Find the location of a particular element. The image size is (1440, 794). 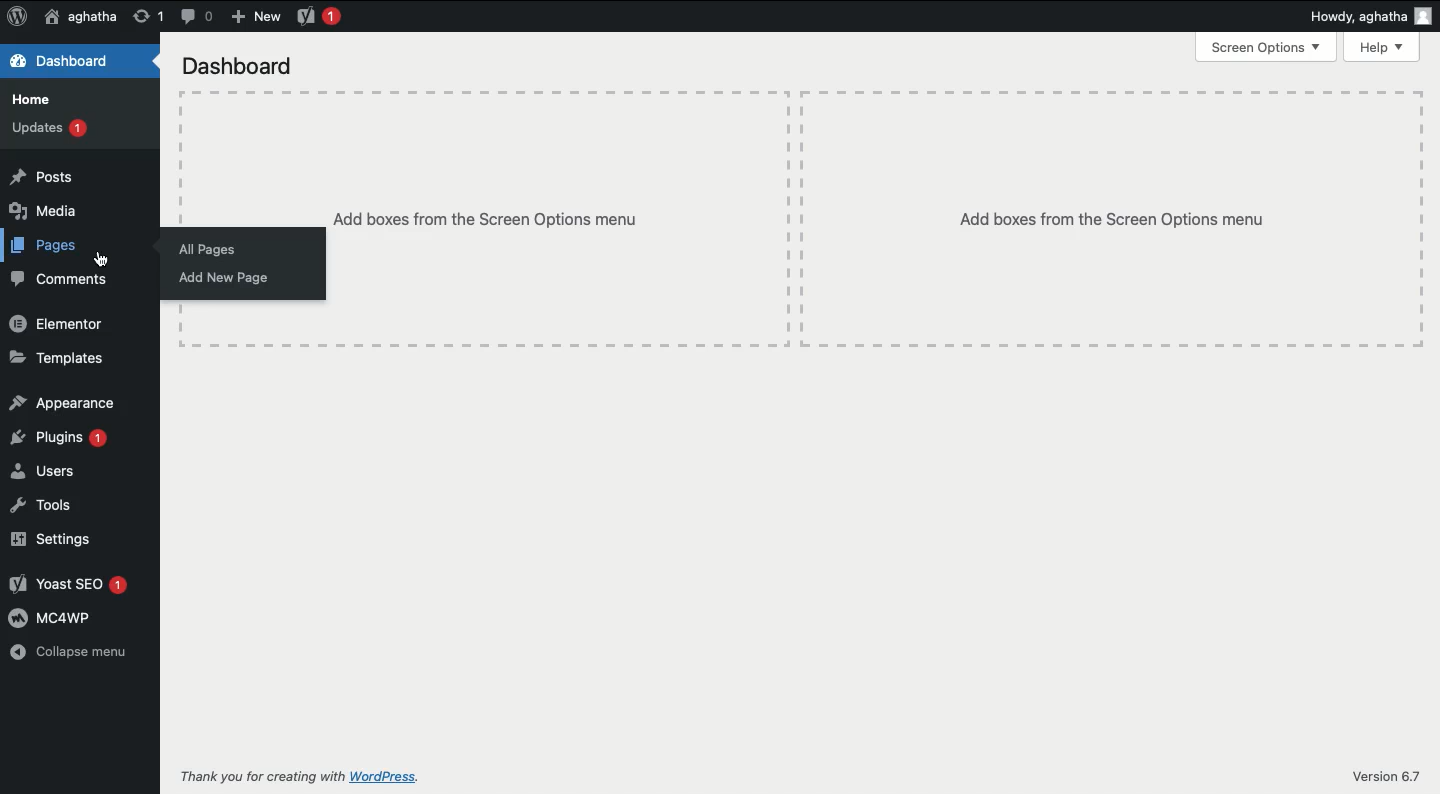

All pages is located at coordinates (207, 248).